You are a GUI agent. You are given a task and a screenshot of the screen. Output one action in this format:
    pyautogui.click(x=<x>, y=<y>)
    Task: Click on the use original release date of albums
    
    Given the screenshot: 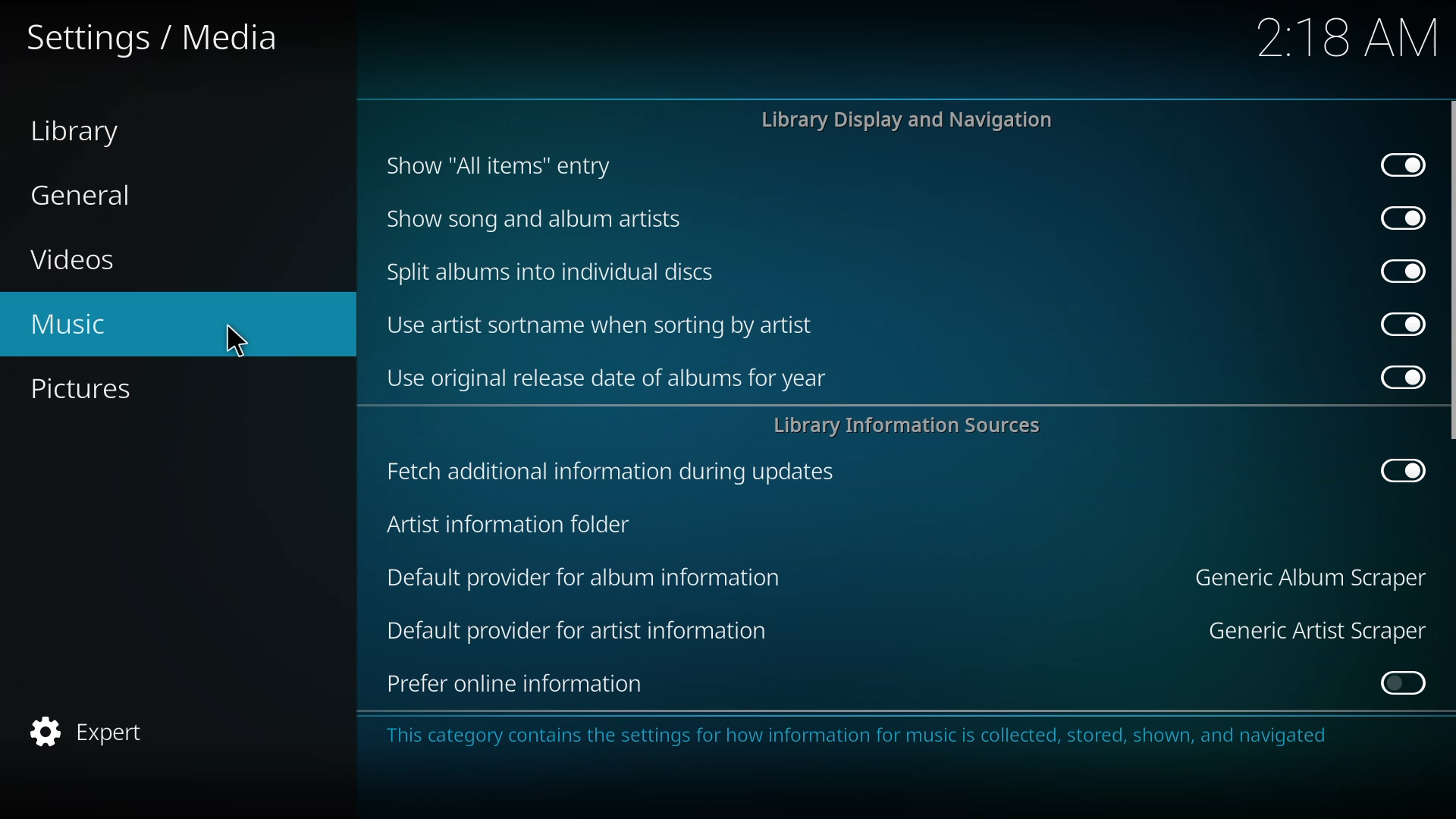 What is the action you would take?
    pyautogui.click(x=614, y=378)
    